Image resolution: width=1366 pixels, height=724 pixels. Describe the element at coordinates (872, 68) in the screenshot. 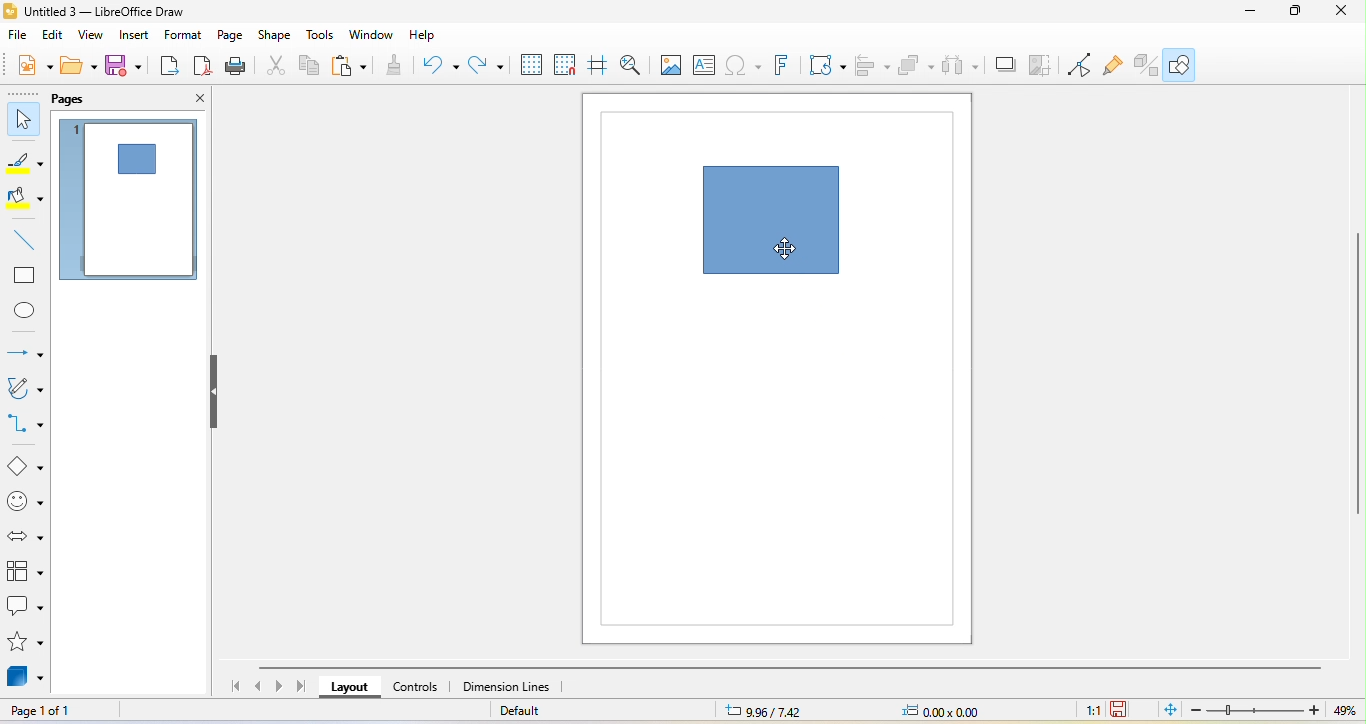

I see `align object` at that location.